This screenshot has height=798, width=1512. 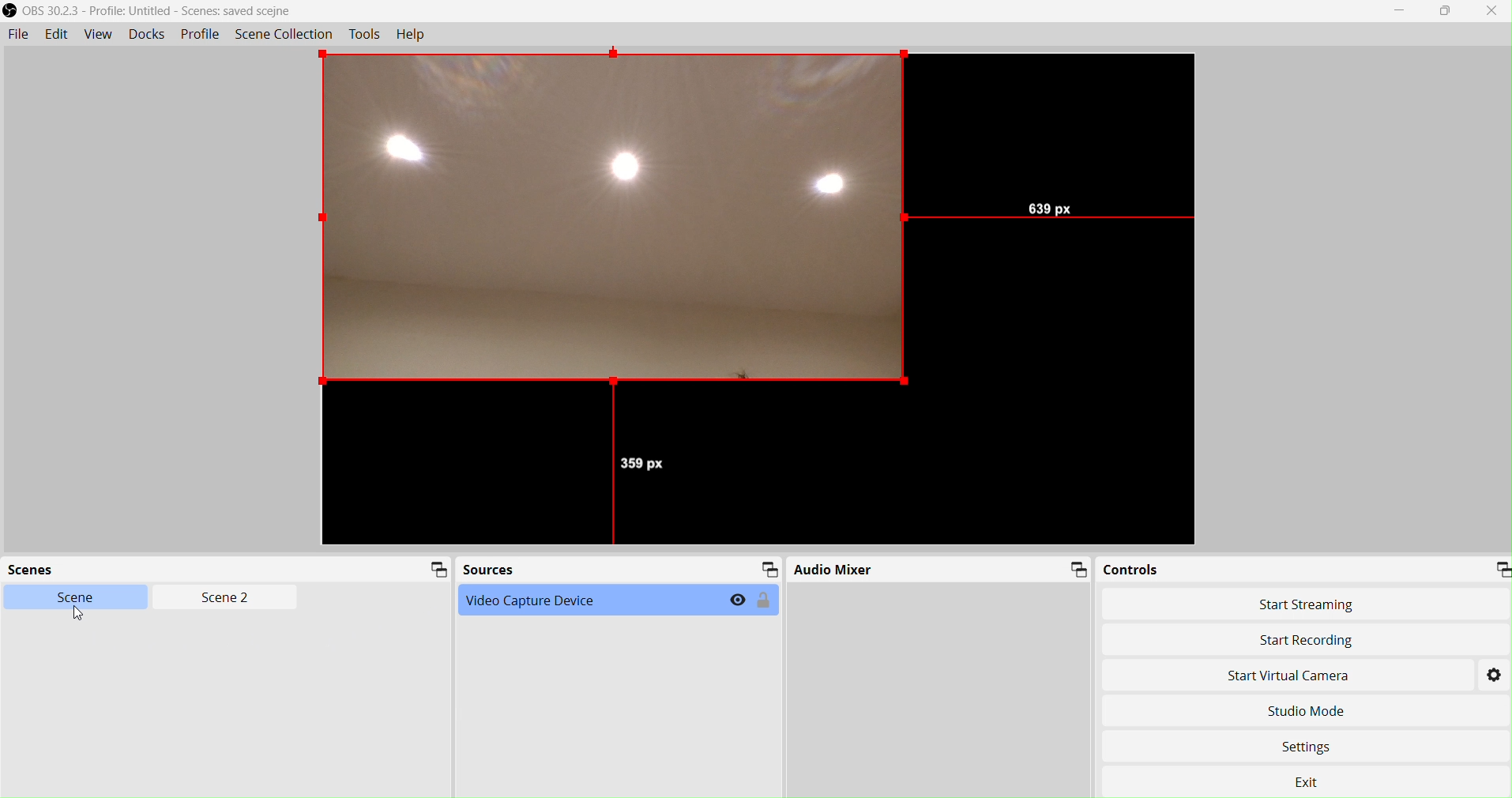 What do you see at coordinates (180, 11) in the screenshot?
I see `` at bounding box center [180, 11].